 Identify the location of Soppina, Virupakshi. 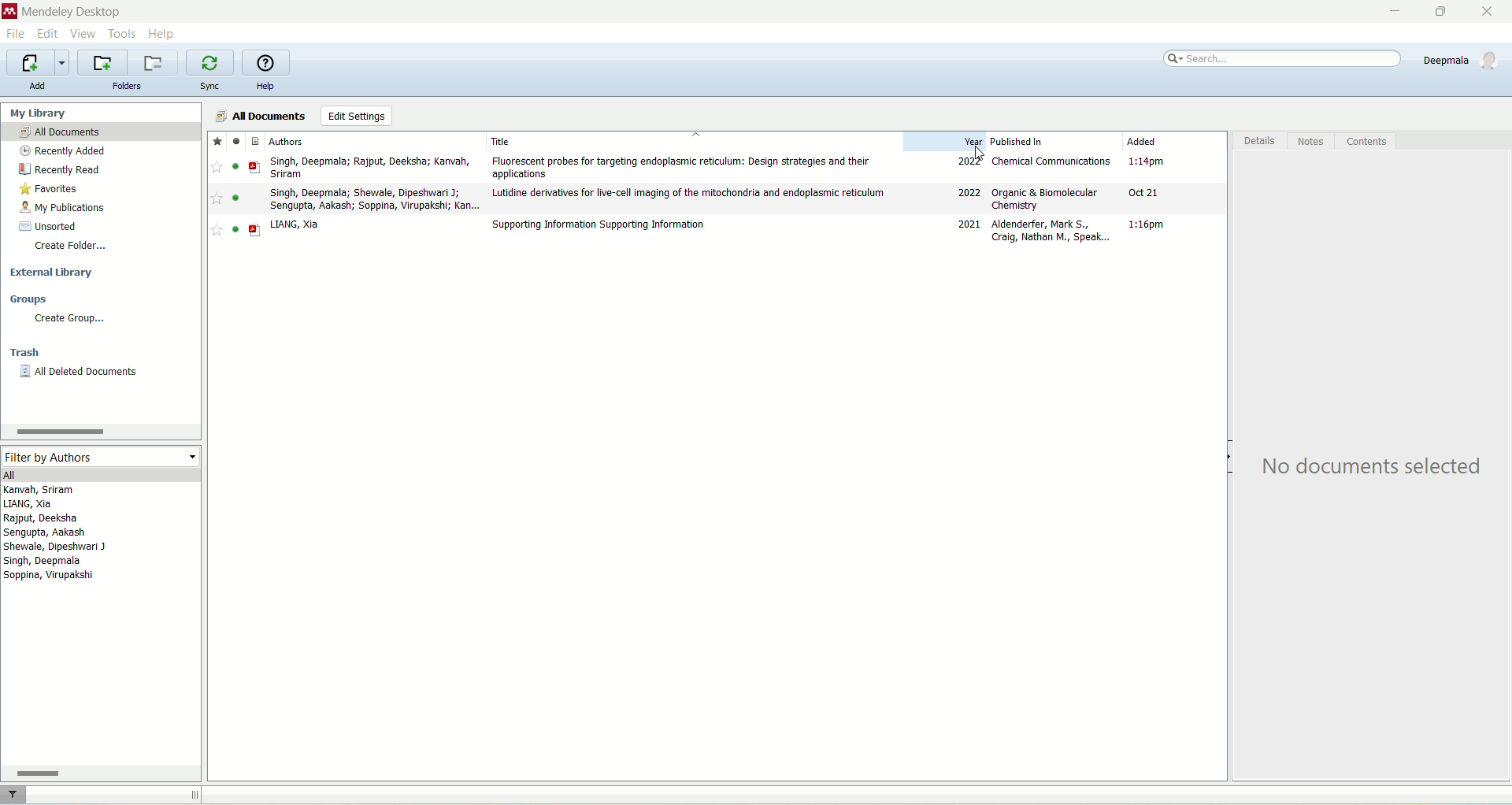
(48, 576).